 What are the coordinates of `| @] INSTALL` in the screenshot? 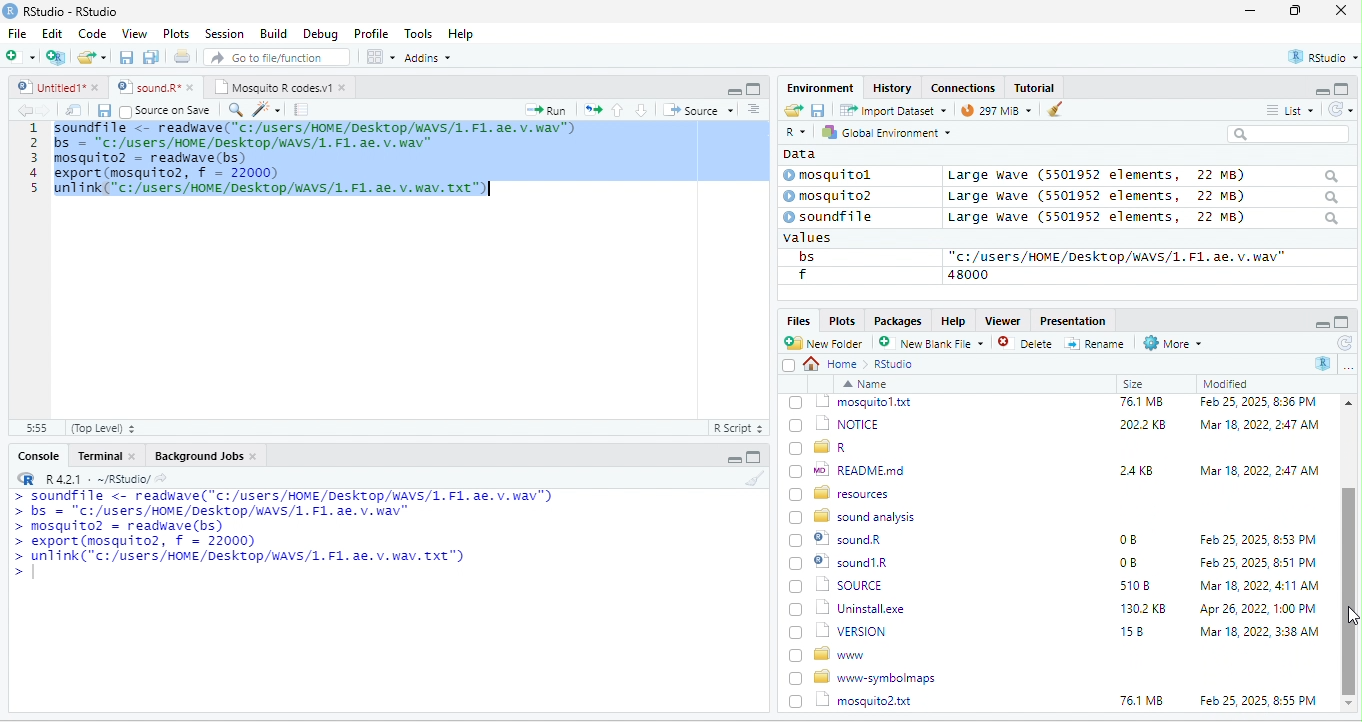 It's located at (839, 496).